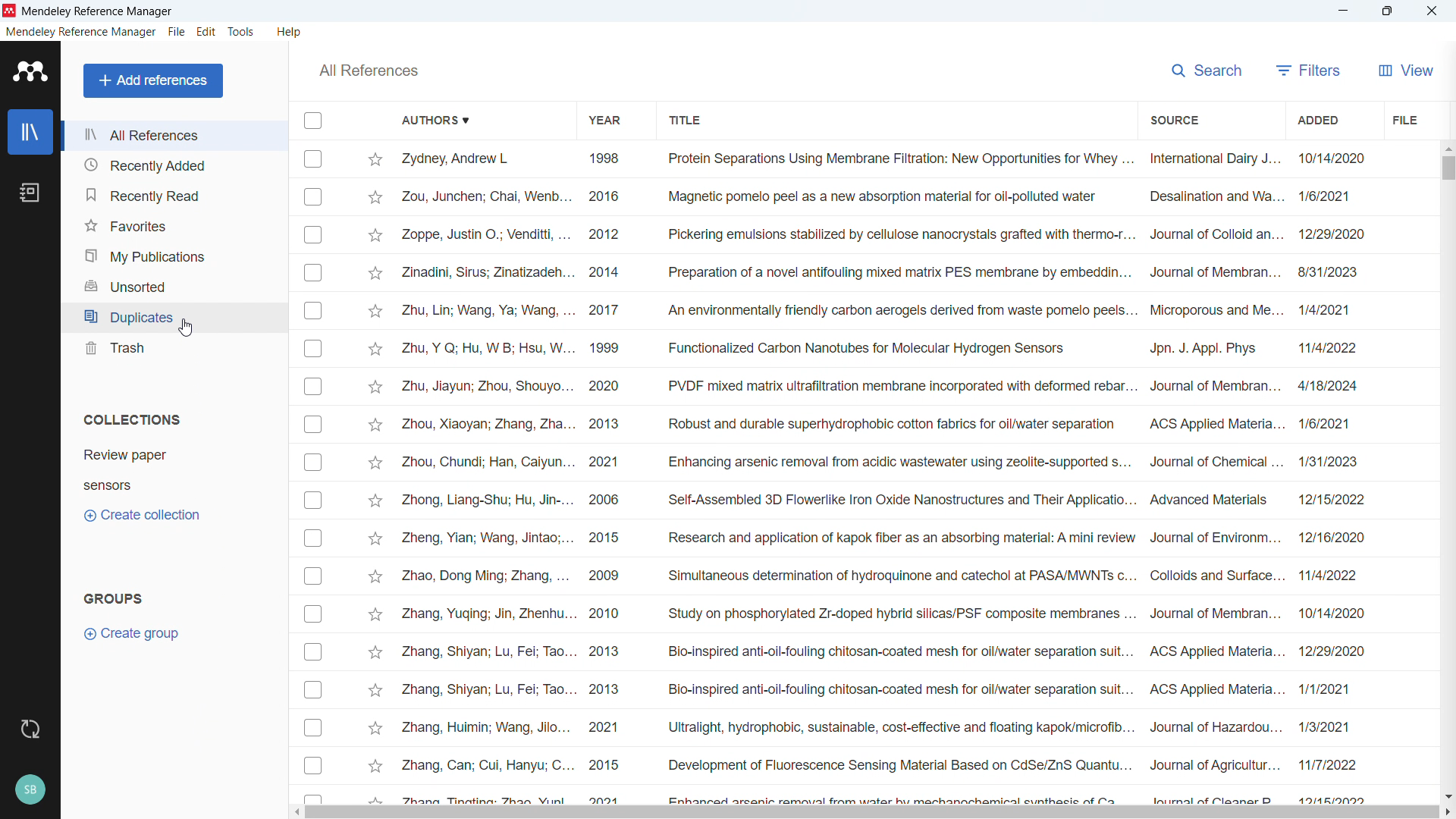  What do you see at coordinates (1331, 475) in the screenshot?
I see `Date of addition of individual entries ` at bounding box center [1331, 475].